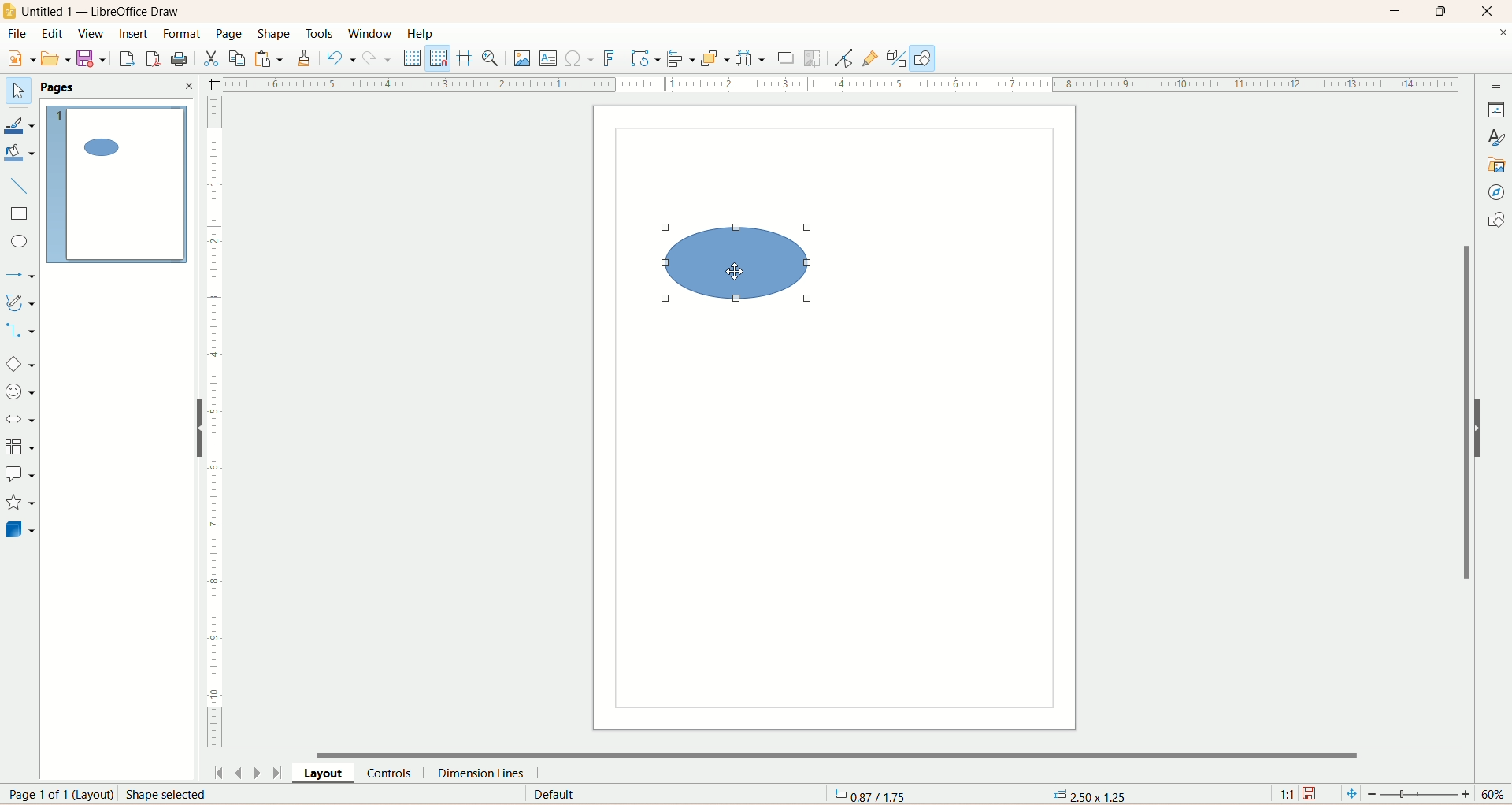 The image size is (1512, 805). I want to click on symbol shapes, so click(19, 393).